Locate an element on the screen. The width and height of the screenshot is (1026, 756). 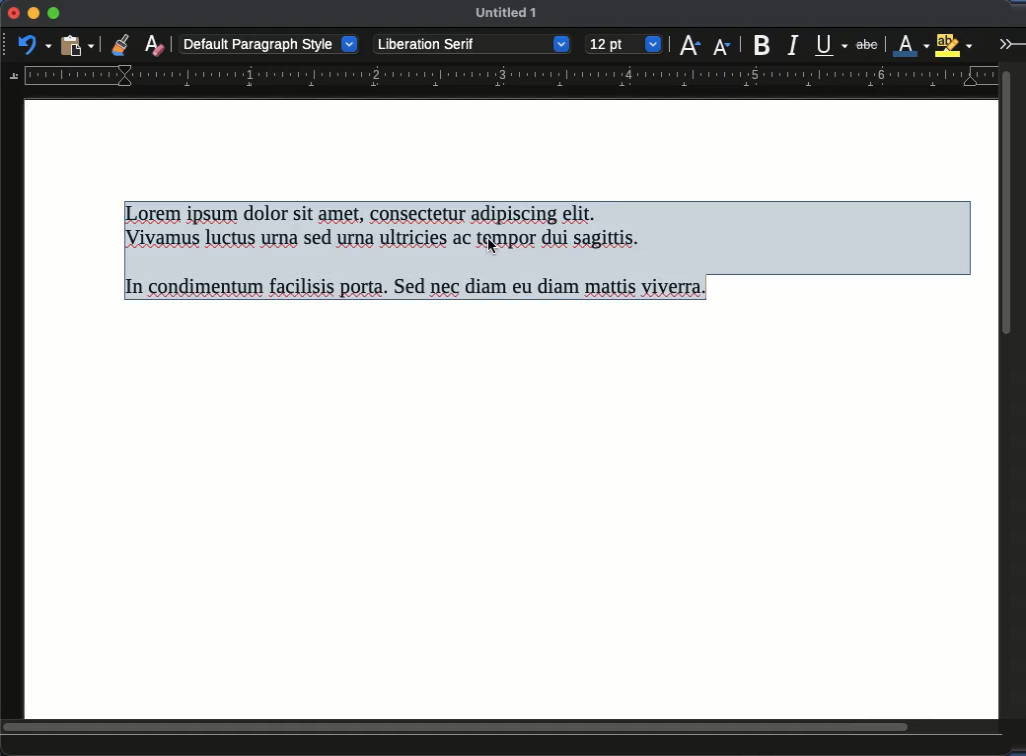
clear formatting is located at coordinates (154, 44).